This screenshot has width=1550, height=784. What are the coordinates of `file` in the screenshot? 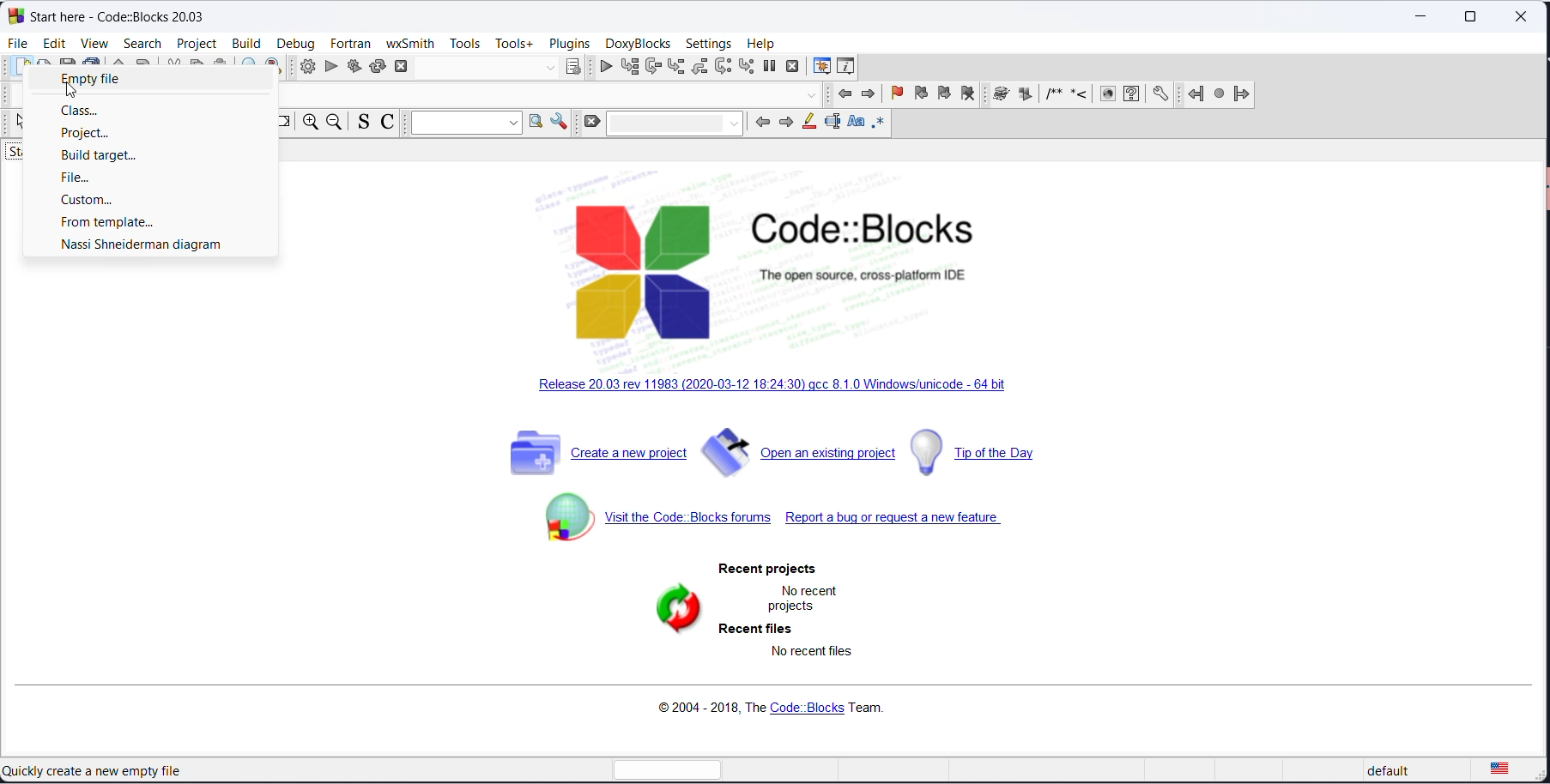 It's located at (21, 44).